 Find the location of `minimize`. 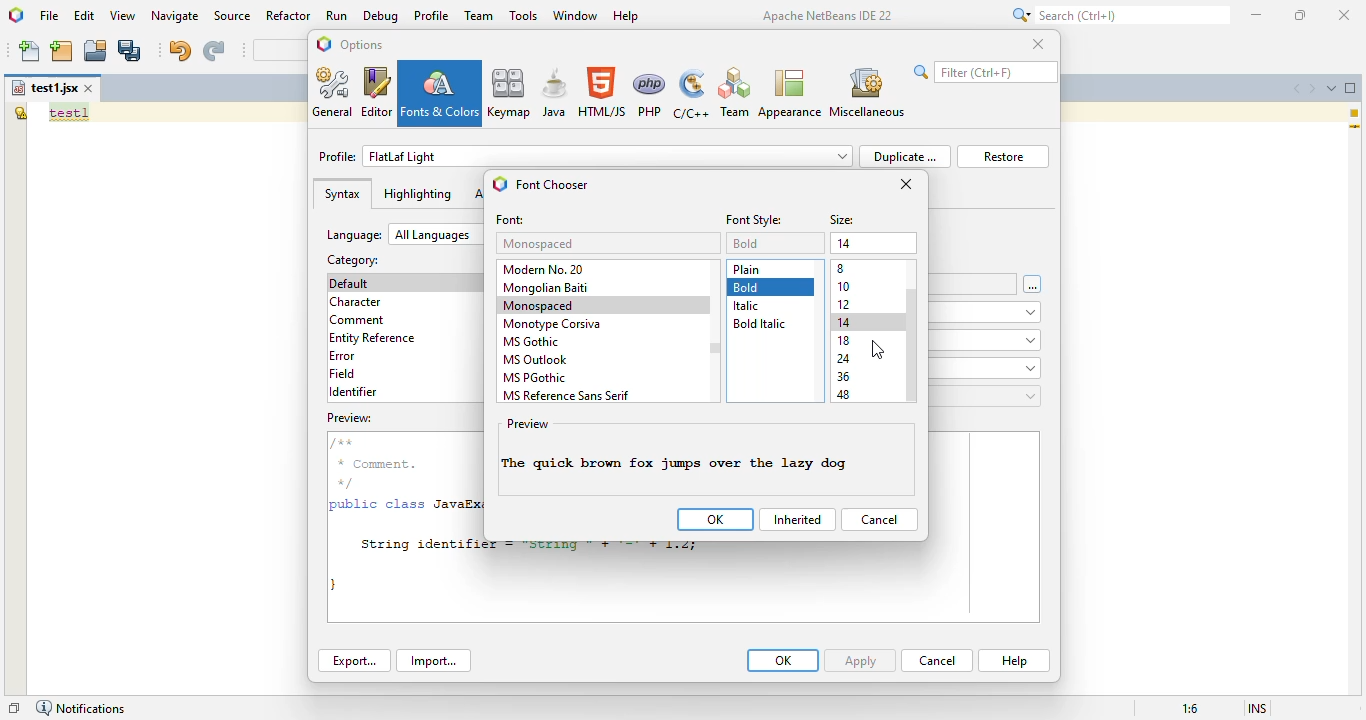

minimize is located at coordinates (1257, 14).